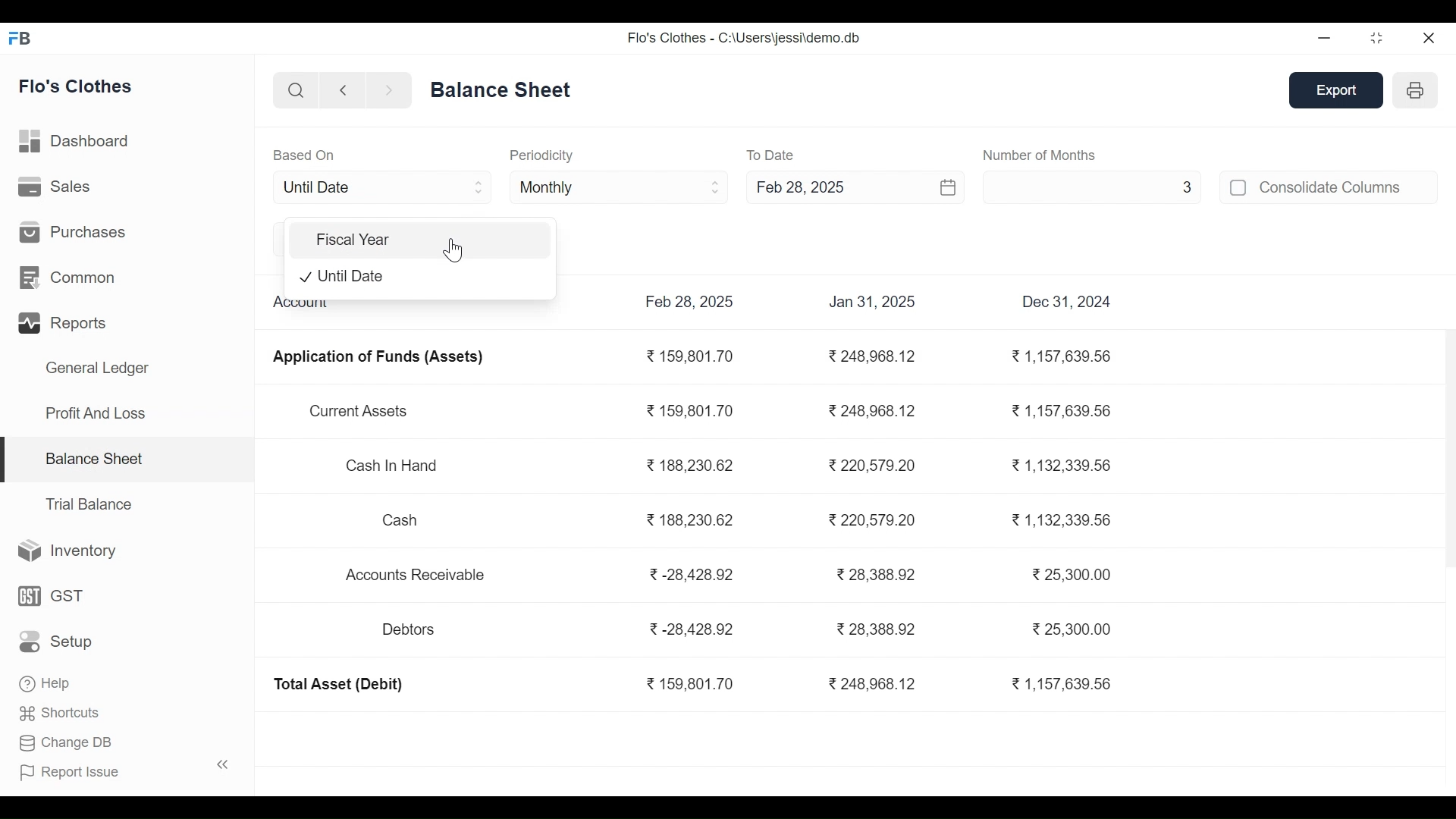 The image size is (1456, 819). Describe the element at coordinates (382, 187) in the screenshot. I see `Until Date` at that location.